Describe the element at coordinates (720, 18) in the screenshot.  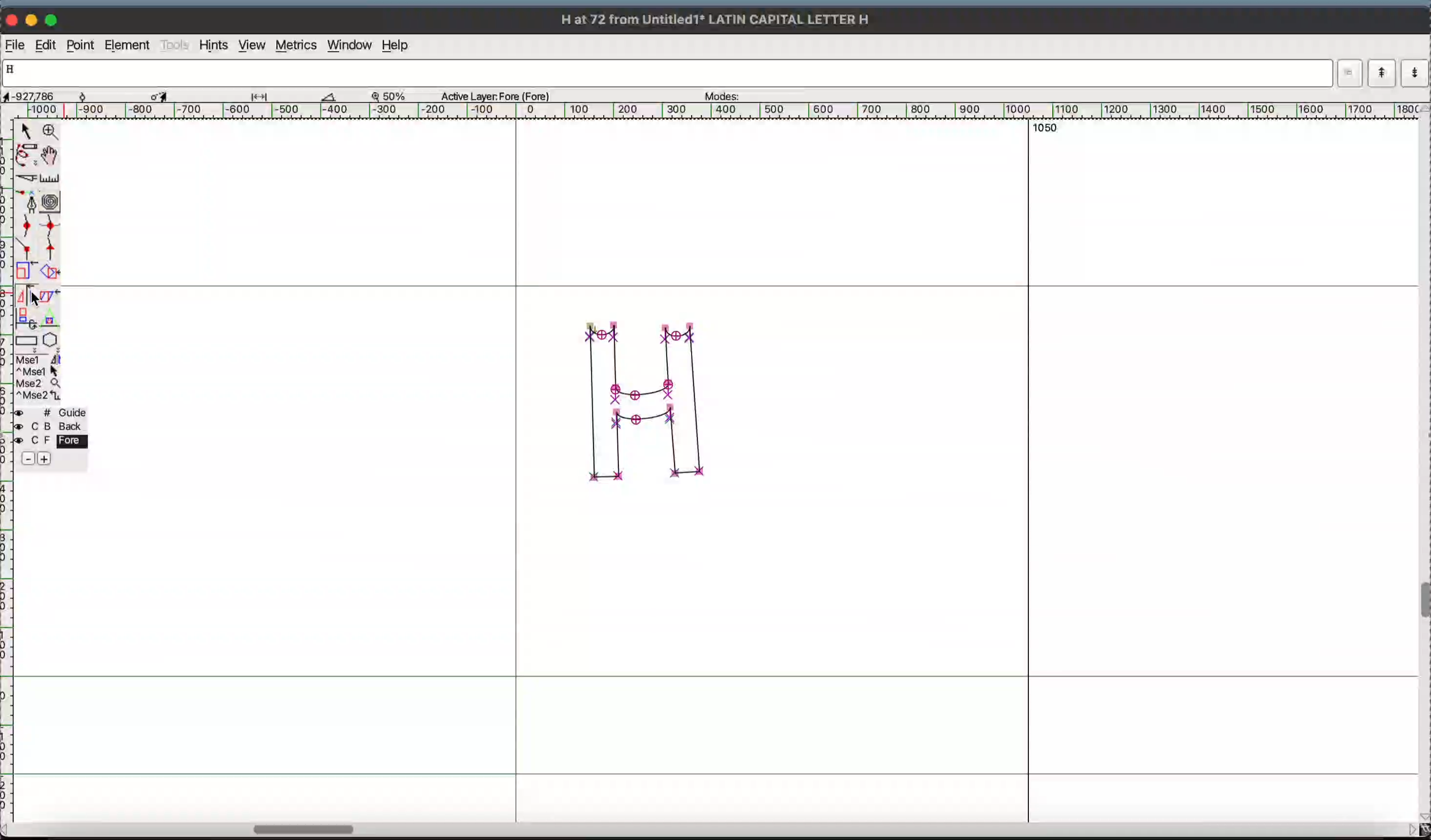
I see `H at 72 from Untitled1 LATIN CAPITAL LETTER H` at that location.